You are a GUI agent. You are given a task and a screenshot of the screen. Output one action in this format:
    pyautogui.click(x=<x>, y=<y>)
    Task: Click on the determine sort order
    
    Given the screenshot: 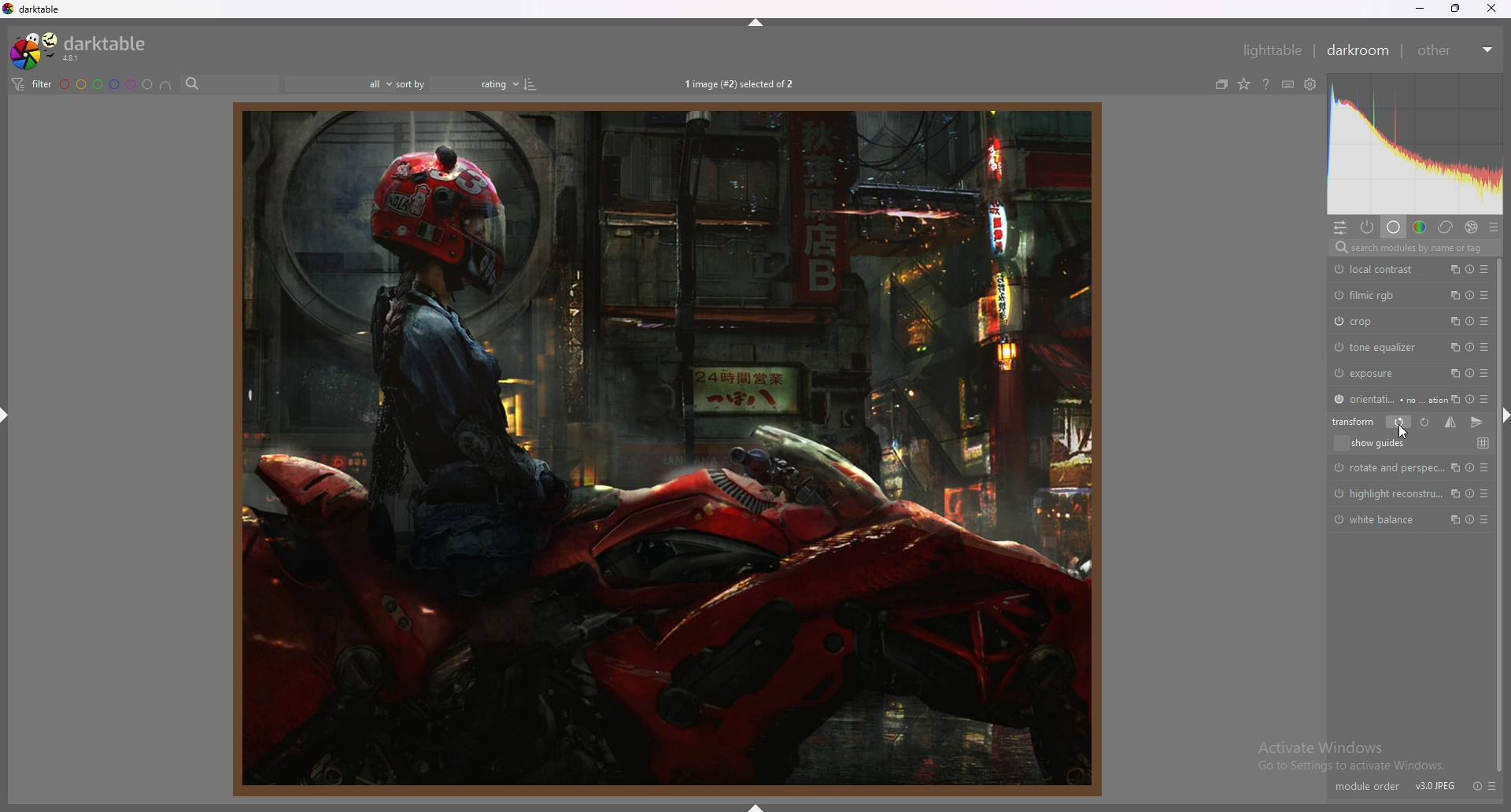 What is the action you would take?
    pyautogui.click(x=459, y=84)
    